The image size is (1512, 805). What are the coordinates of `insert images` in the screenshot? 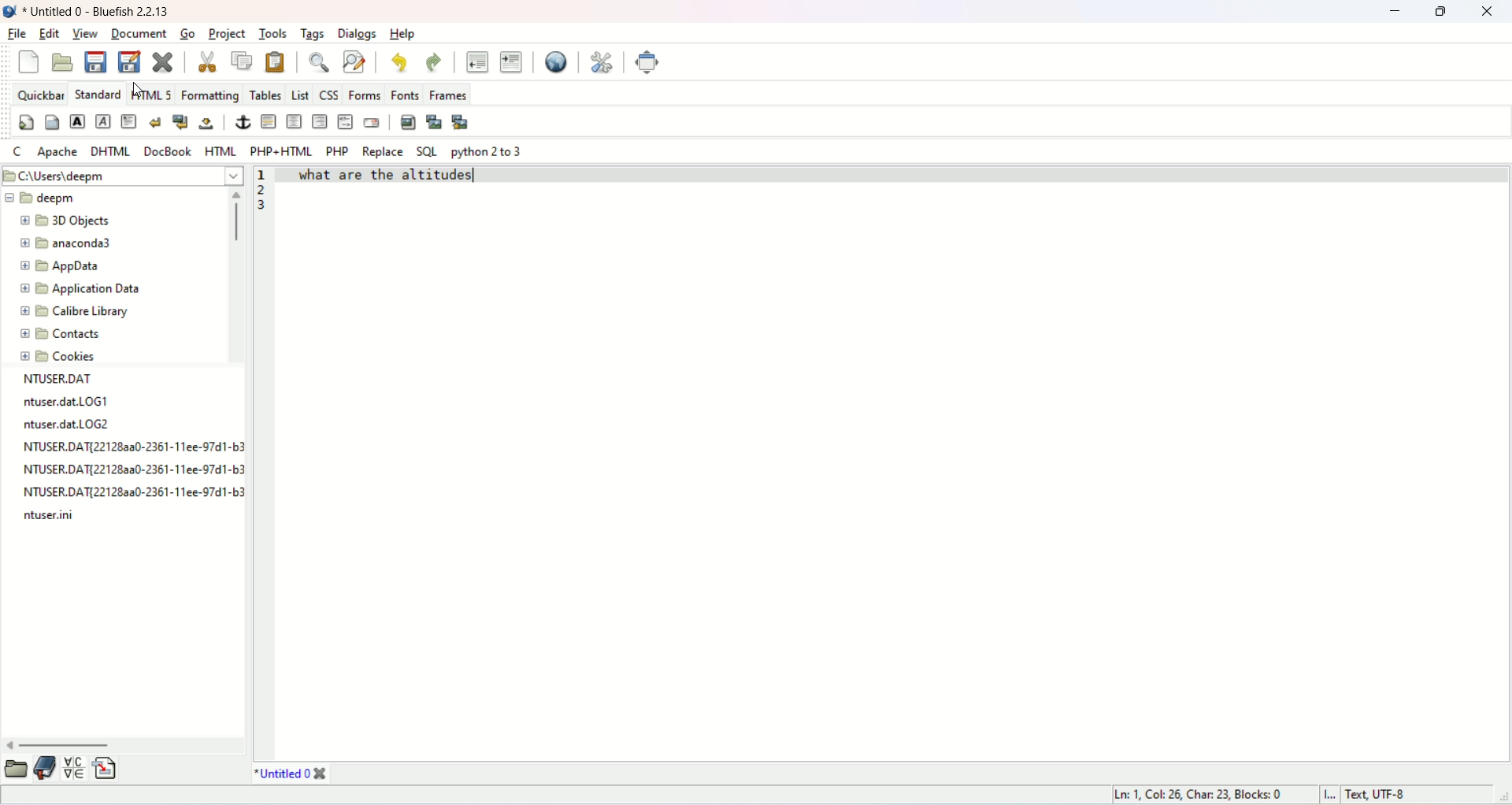 It's located at (408, 121).